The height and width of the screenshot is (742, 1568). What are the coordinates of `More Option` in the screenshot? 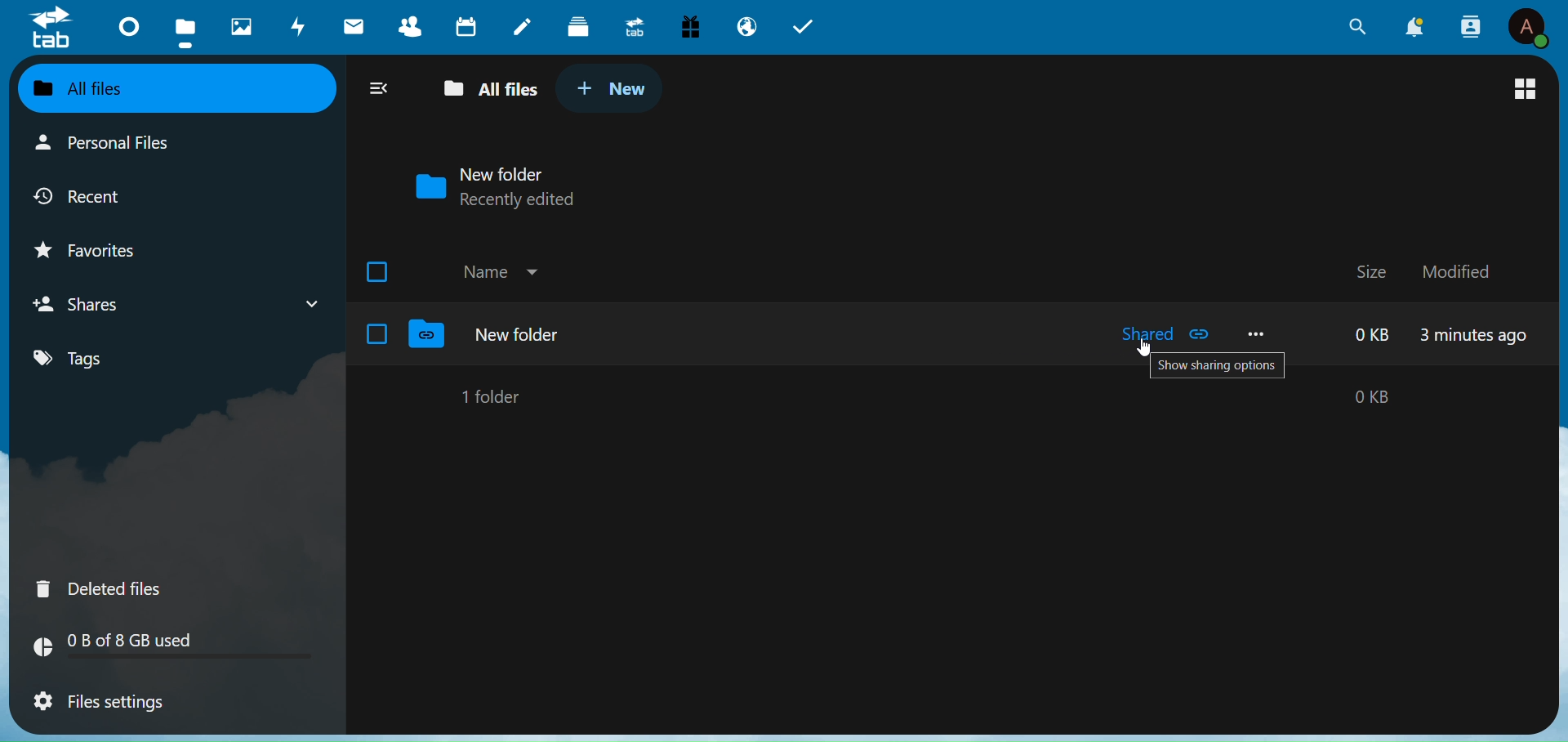 It's located at (1258, 333).